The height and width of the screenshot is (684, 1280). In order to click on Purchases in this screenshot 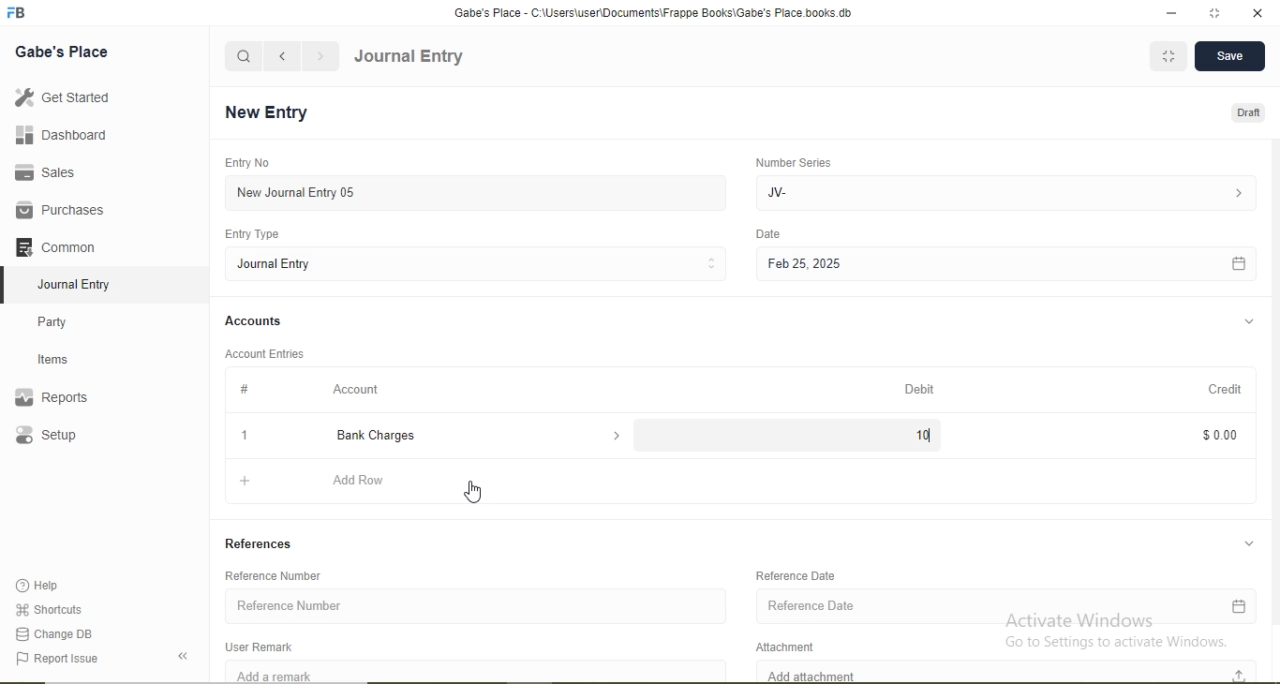, I will do `click(60, 210)`.